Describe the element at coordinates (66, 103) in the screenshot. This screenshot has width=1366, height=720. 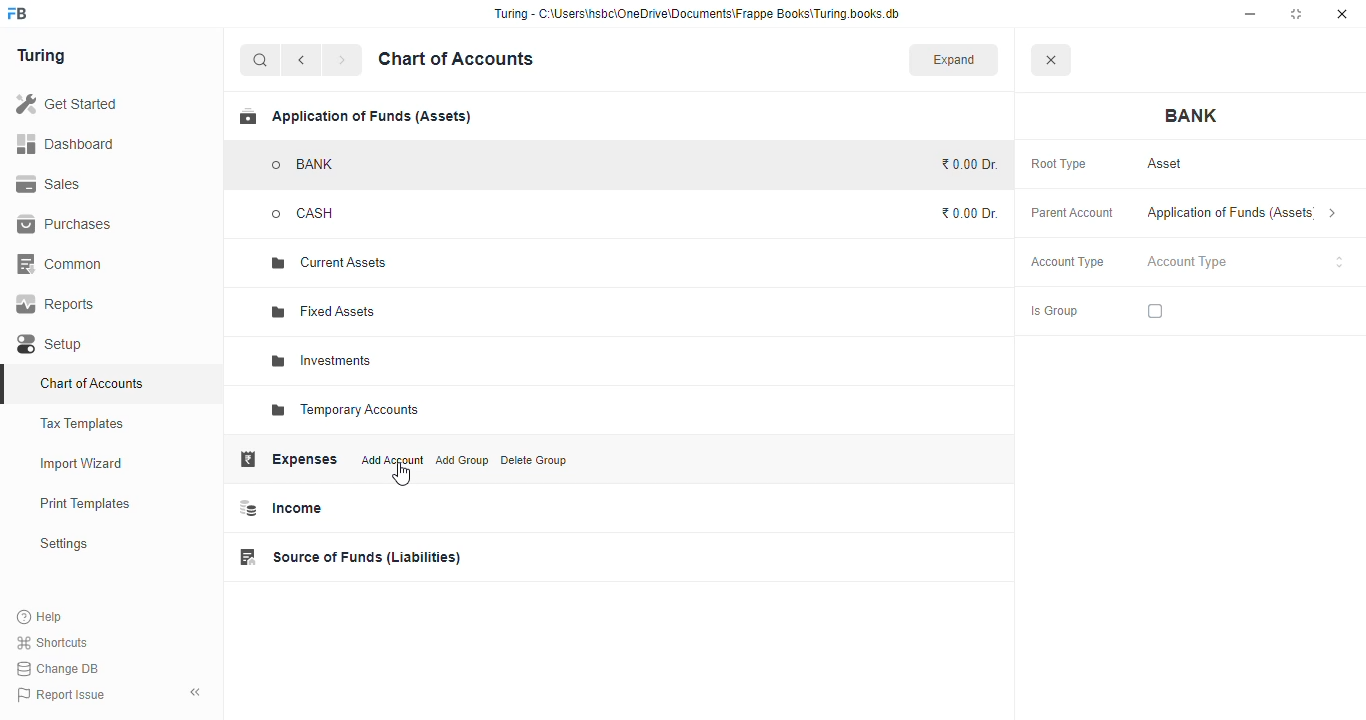
I see `get started` at that location.